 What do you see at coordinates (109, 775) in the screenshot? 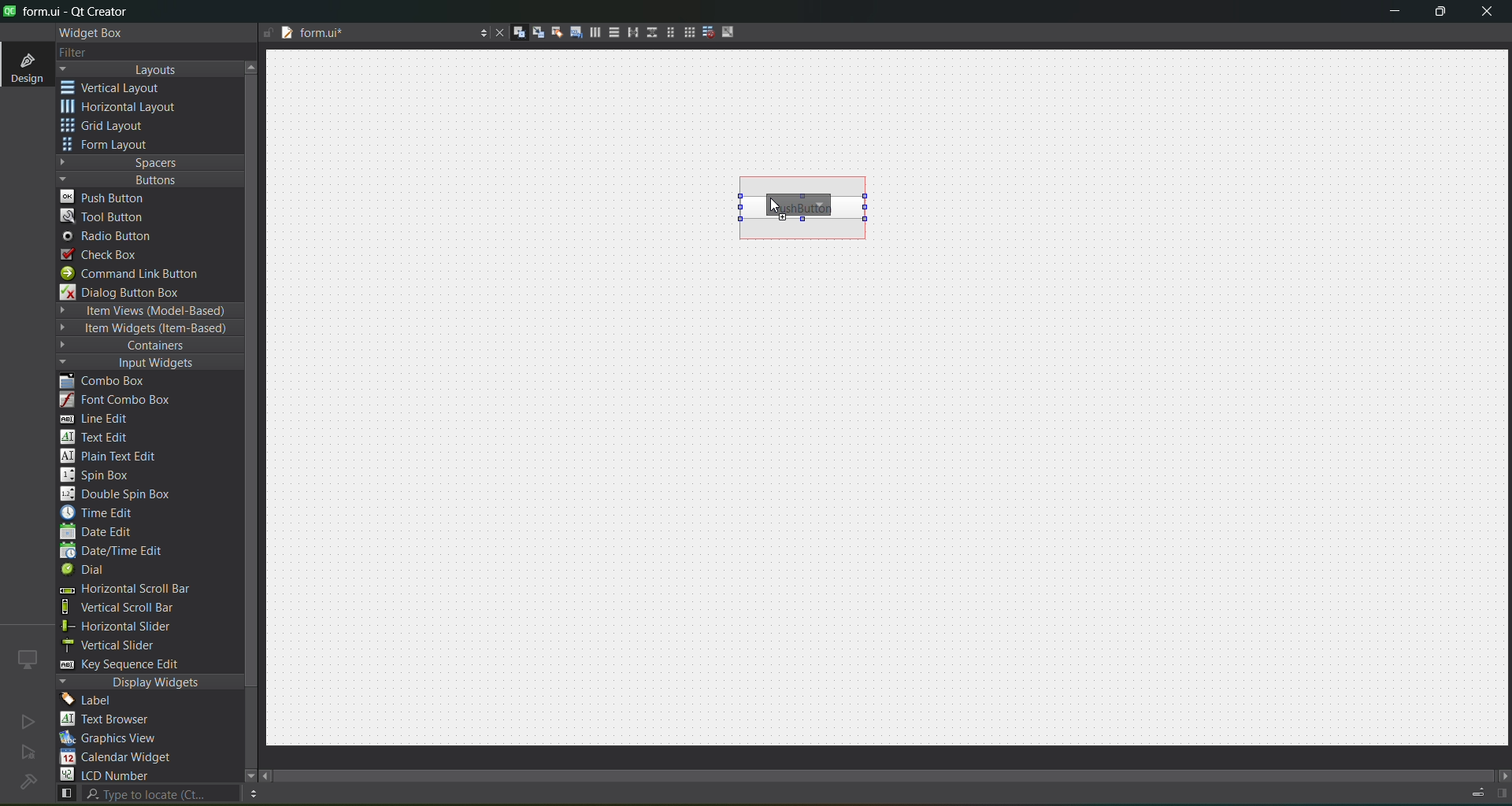
I see `lcd number` at bounding box center [109, 775].